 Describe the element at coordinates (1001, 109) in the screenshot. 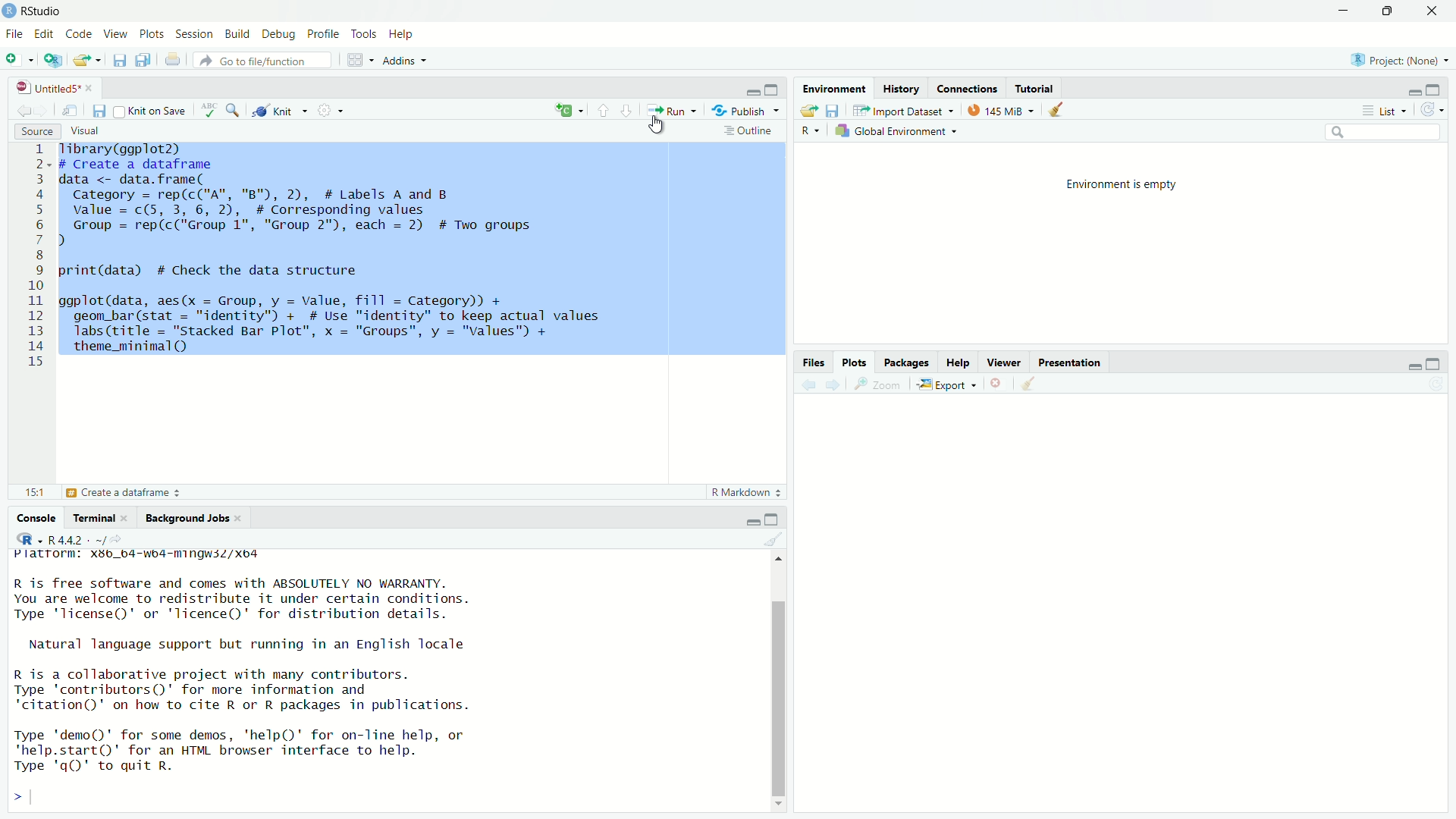

I see `kib used by R session (Source: Windows System)` at that location.